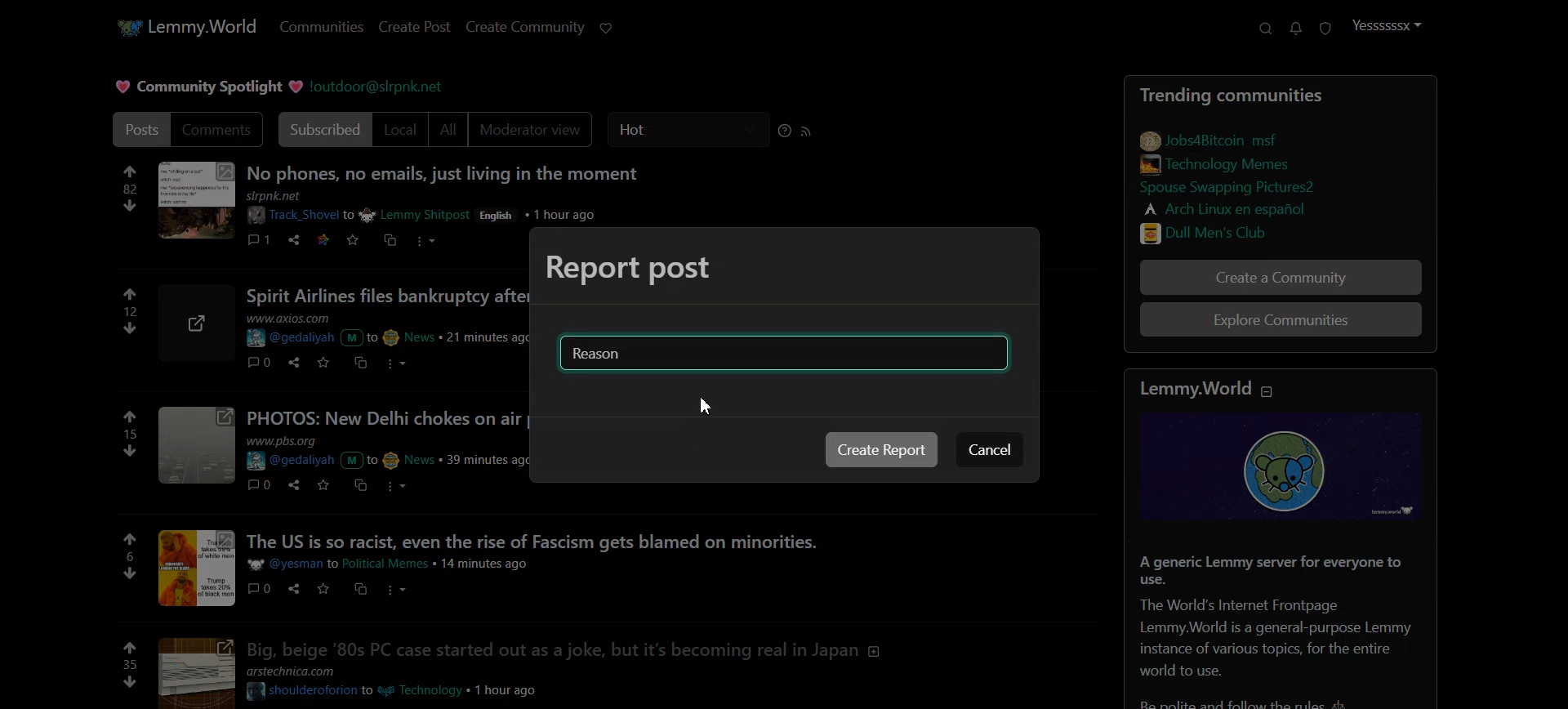 This screenshot has width=1568, height=709. Describe the element at coordinates (198, 568) in the screenshot. I see `post picture` at that location.